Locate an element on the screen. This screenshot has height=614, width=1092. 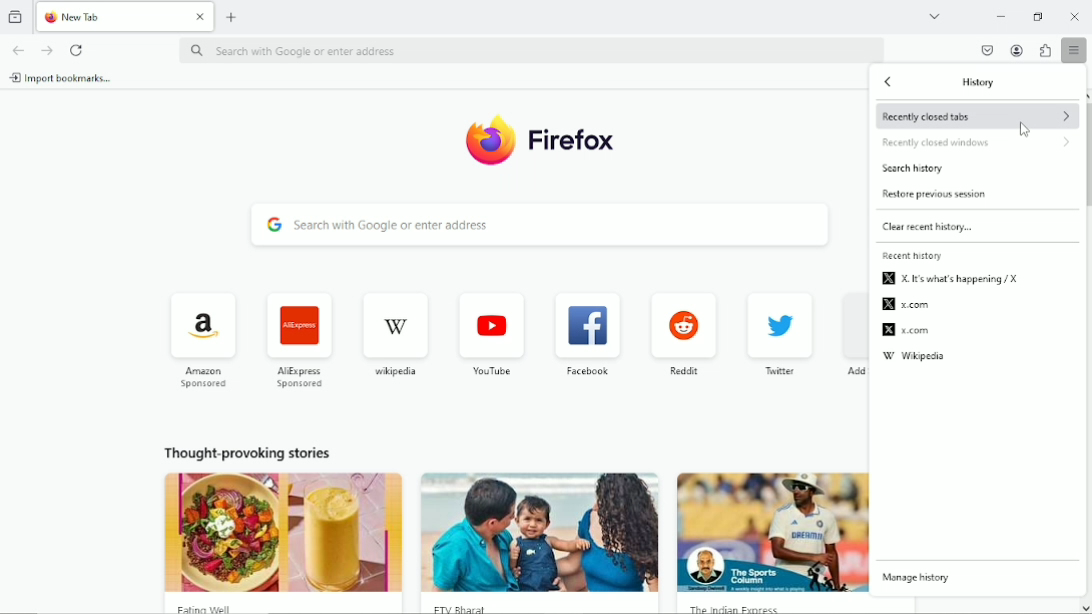
cursor is located at coordinates (1025, 129).